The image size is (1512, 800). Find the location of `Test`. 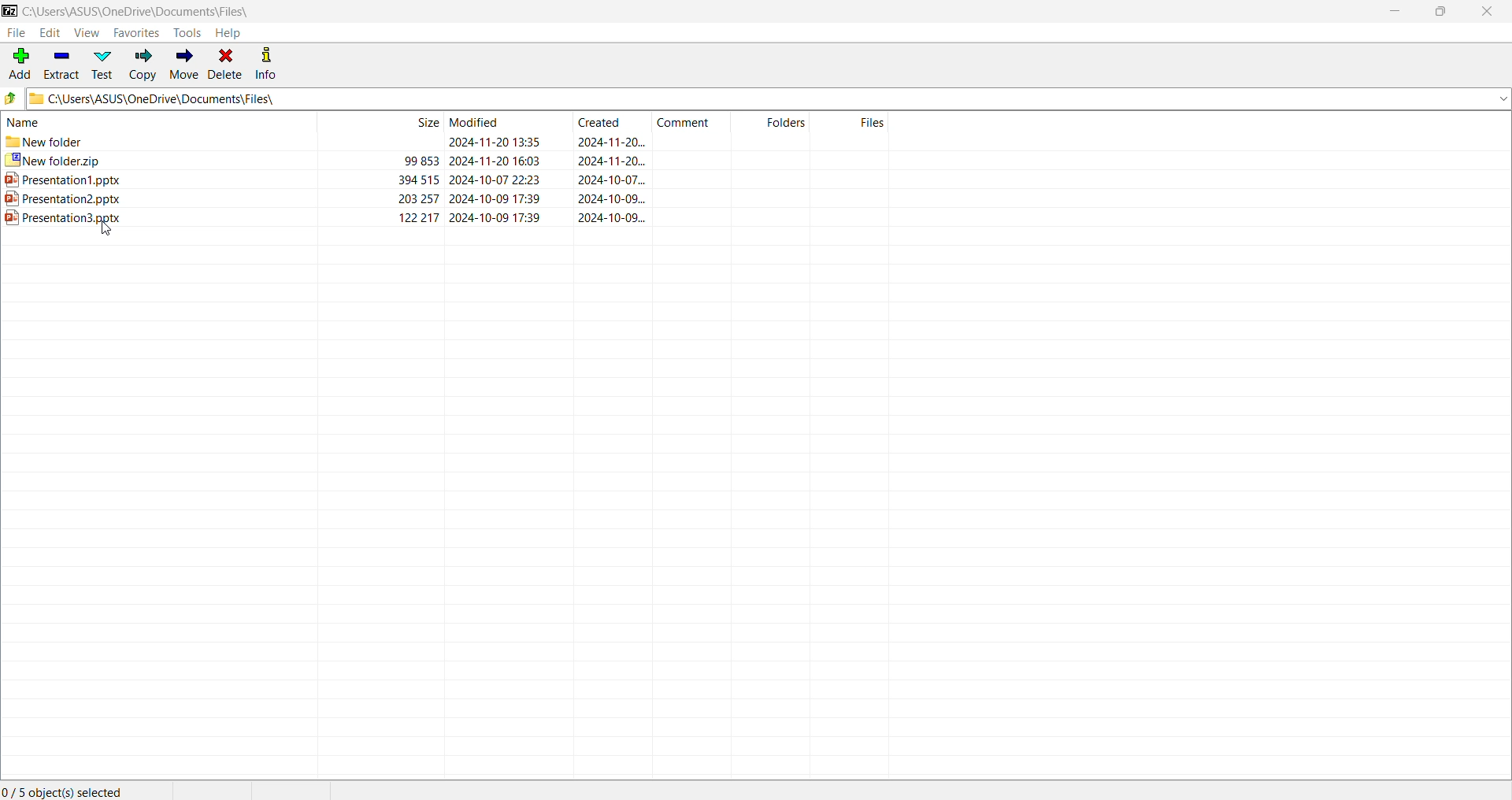

Test is located at coordinates (106, 64).